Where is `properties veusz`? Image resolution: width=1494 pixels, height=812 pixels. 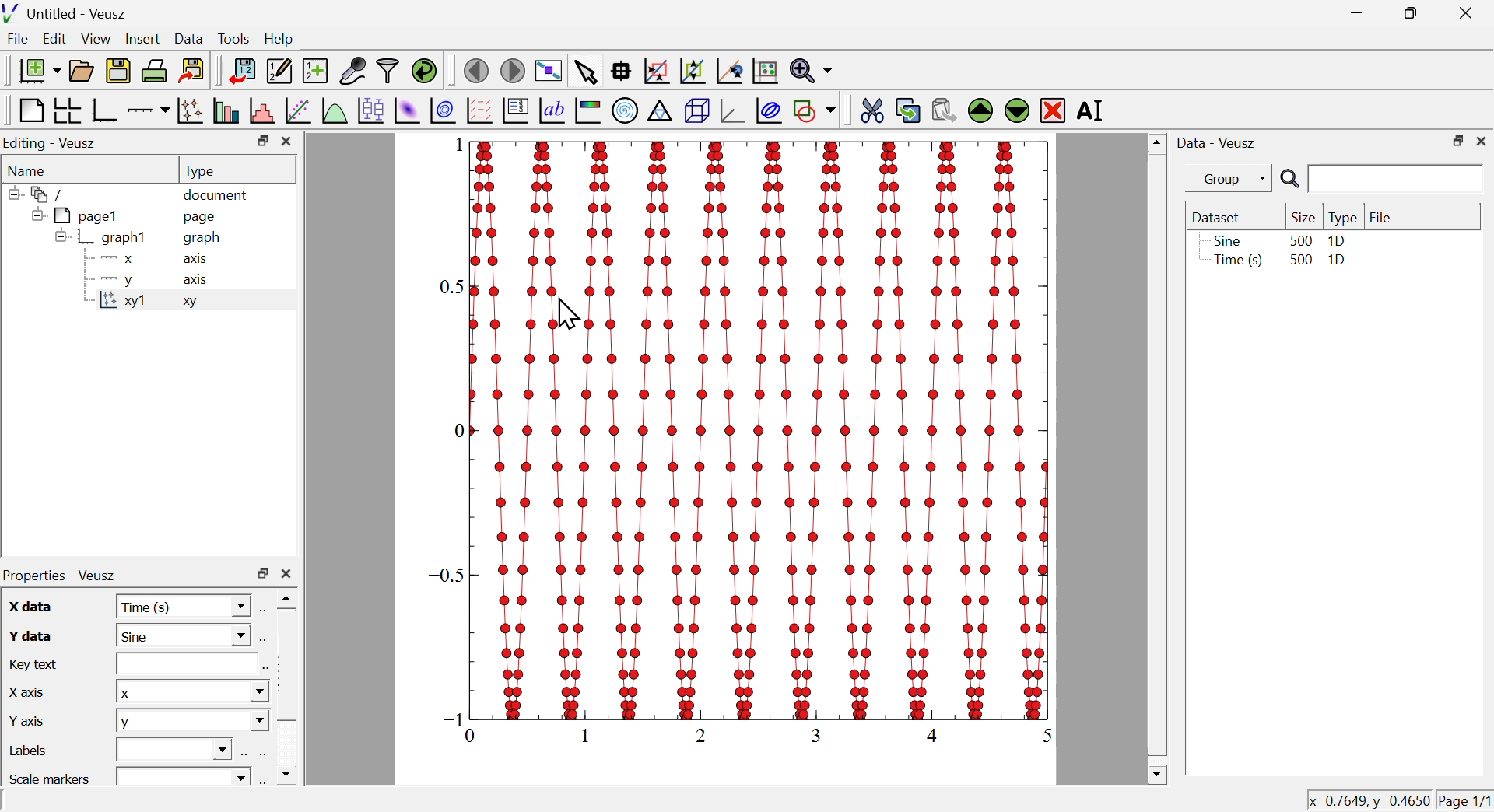
properties veusz is located at coordinates (65, 575).